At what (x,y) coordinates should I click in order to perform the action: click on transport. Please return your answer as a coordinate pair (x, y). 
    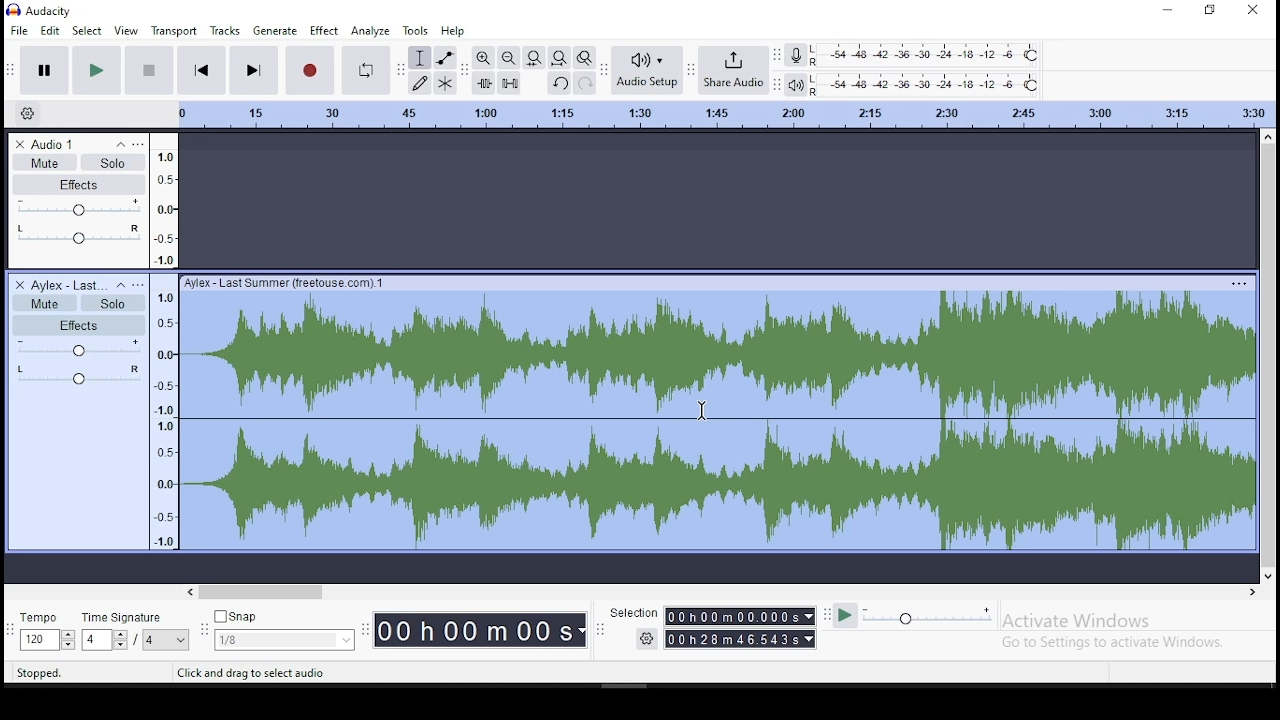
    Looking at the image, I should click on (174, 31).